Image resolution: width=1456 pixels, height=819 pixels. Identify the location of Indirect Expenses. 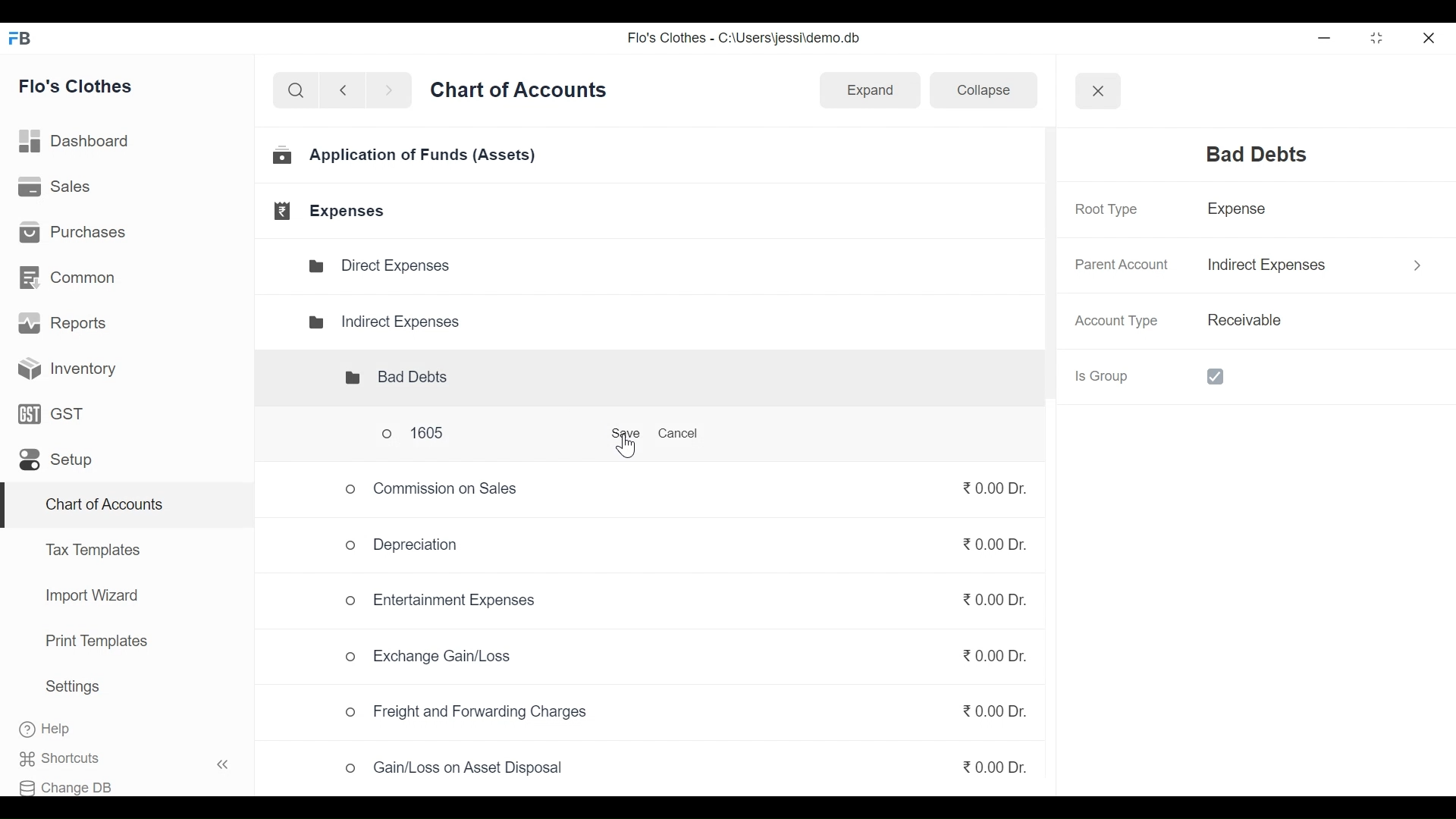
(1270, 265).